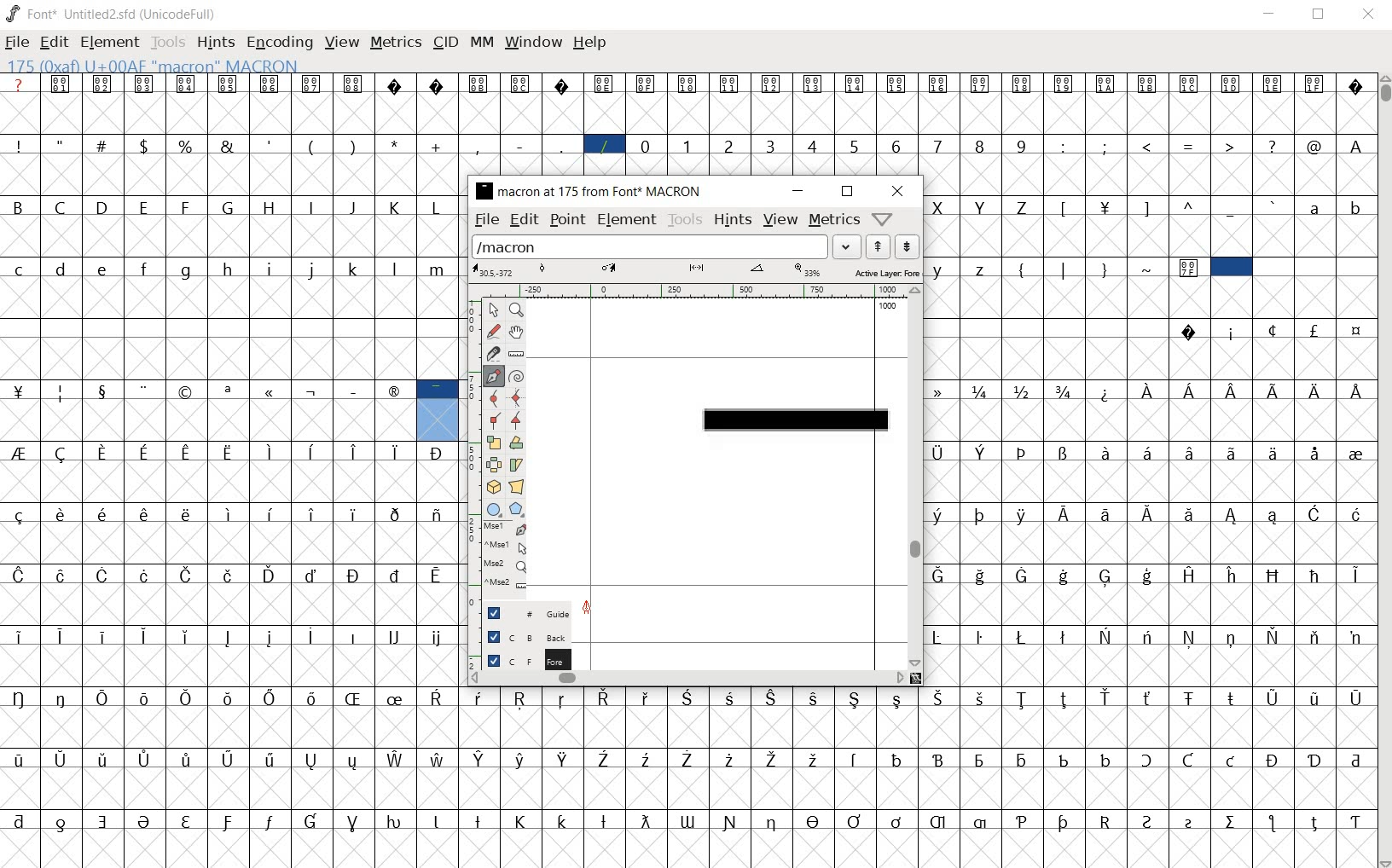 The width and height of the screenshot is (1392, 868). What do you see at coordinates (952, 59) in the screenshot?
I see `Cursor` at bounding box center [952, 59].